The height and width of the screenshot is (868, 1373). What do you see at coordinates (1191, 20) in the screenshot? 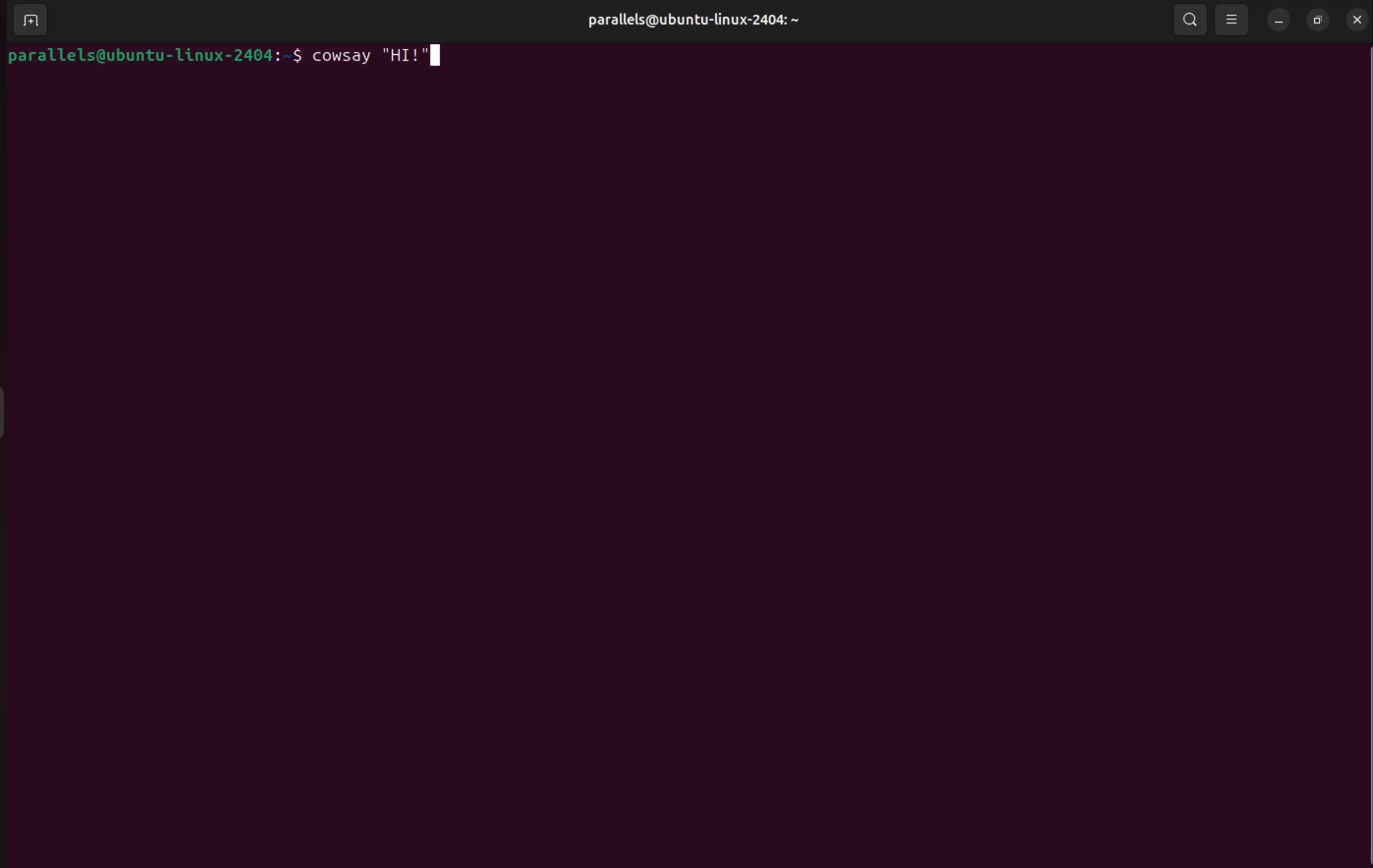
I see `search` at bounding box center [1191, 20].